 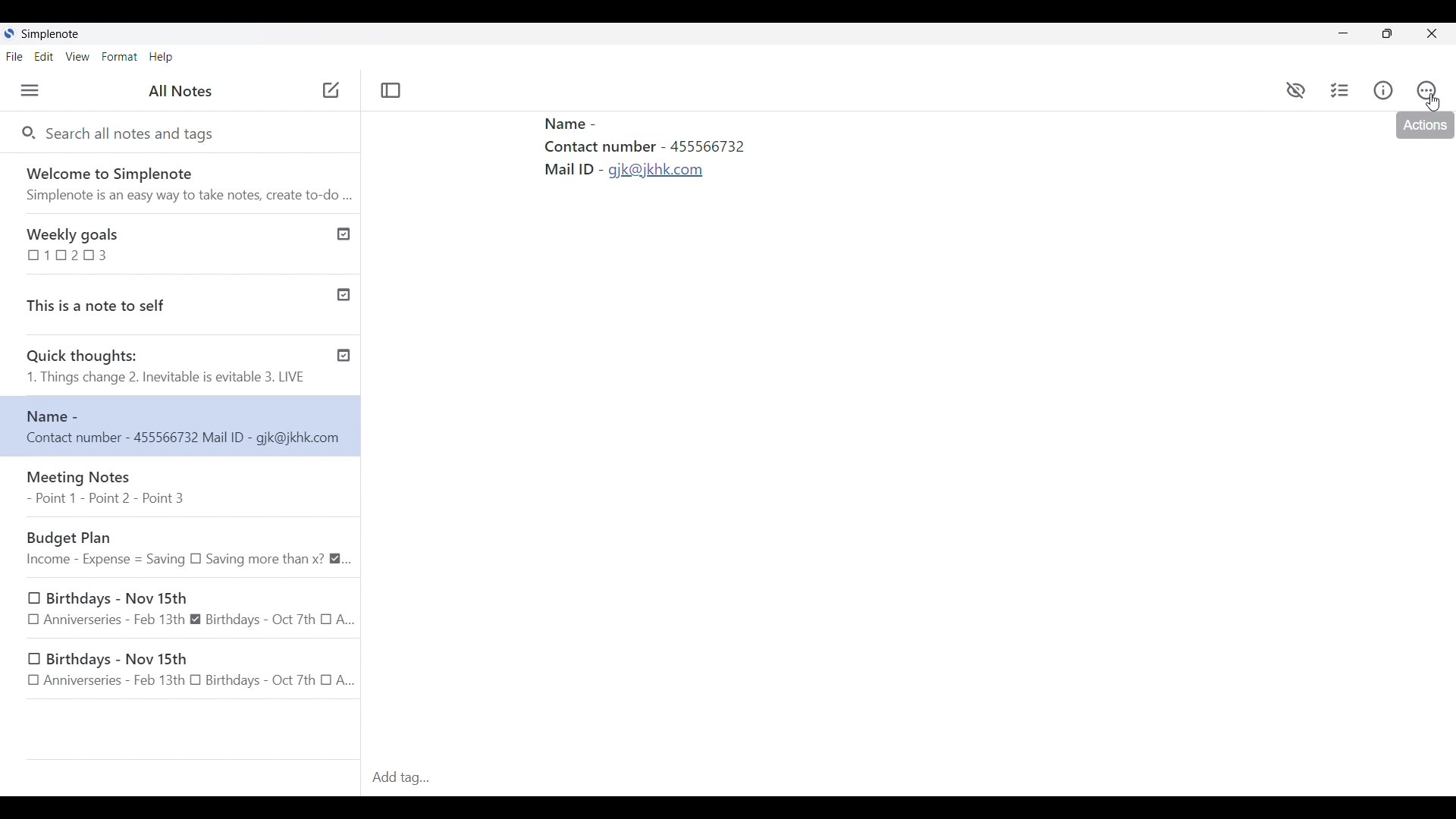 What do you see at coordinates (1426, 126) in the screenshot?
I see `actions` at bounding box center [1426, 126].